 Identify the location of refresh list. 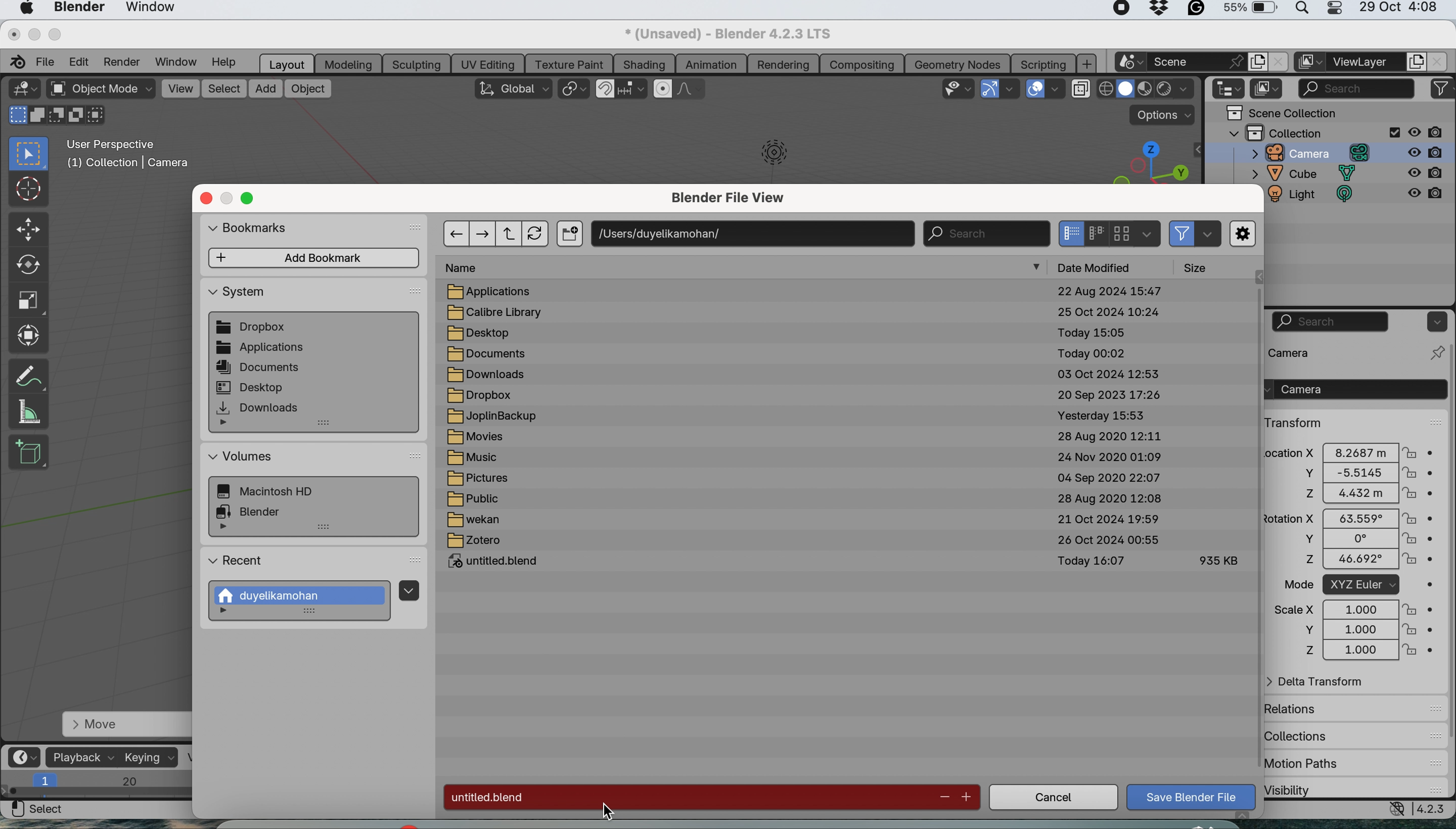
(539, 233).